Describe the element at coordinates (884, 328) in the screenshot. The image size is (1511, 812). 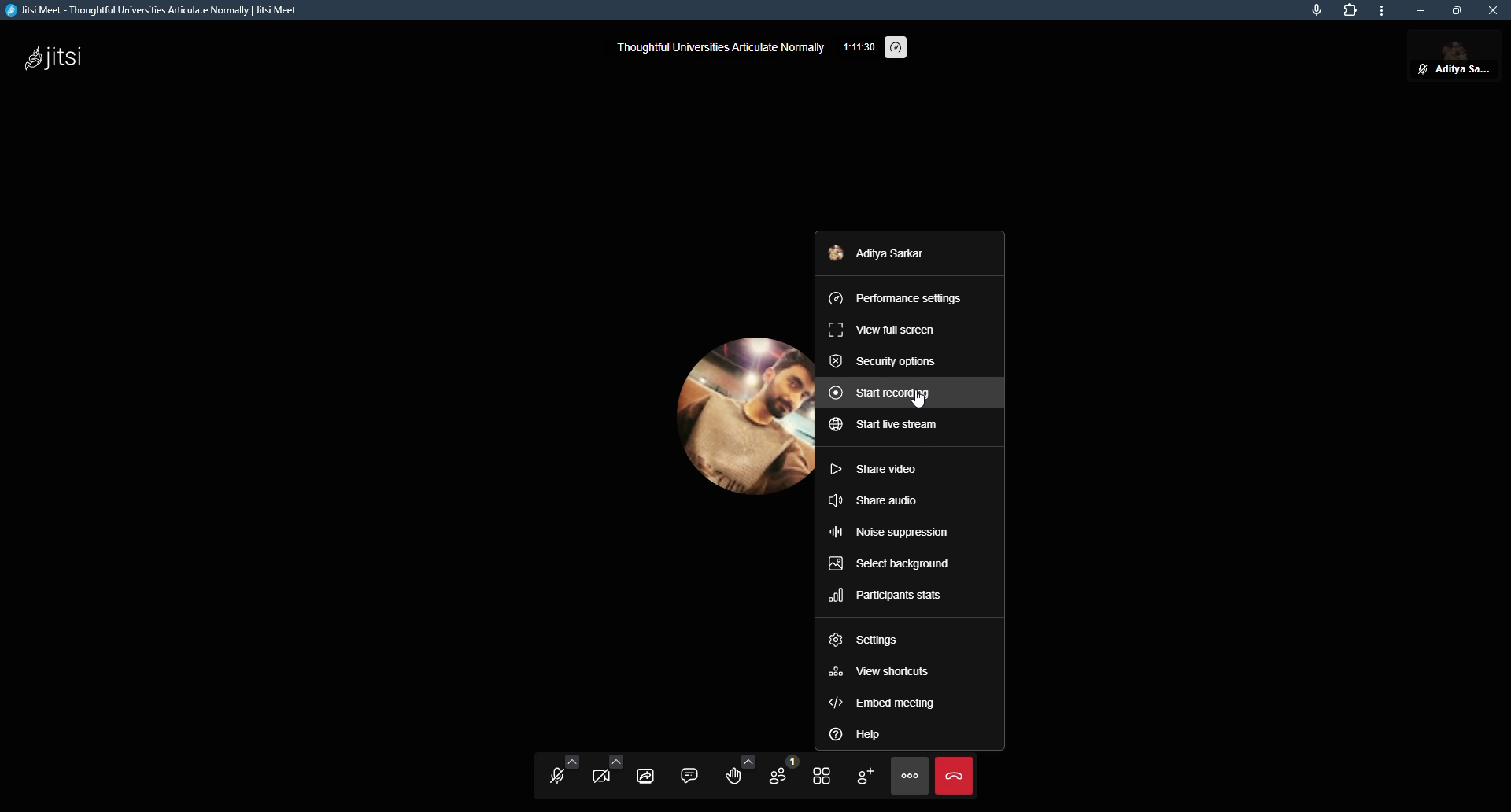
I see `view fullscreen` at that location.